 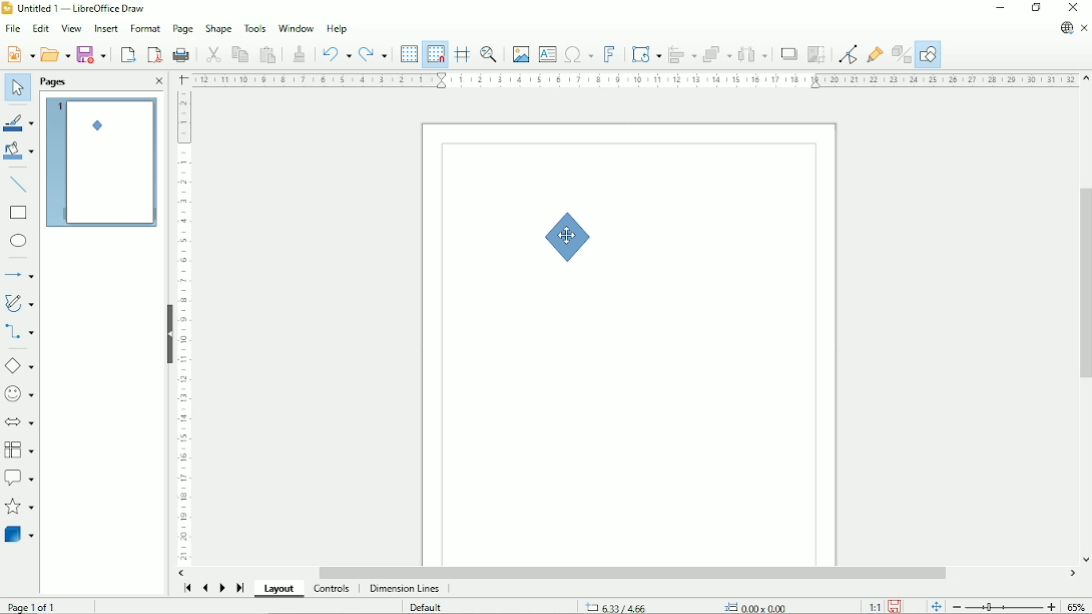 What do you see at coordinates (548, 54) in the screenshot?
I see `Insert text box` at bounding box center [548, 54].